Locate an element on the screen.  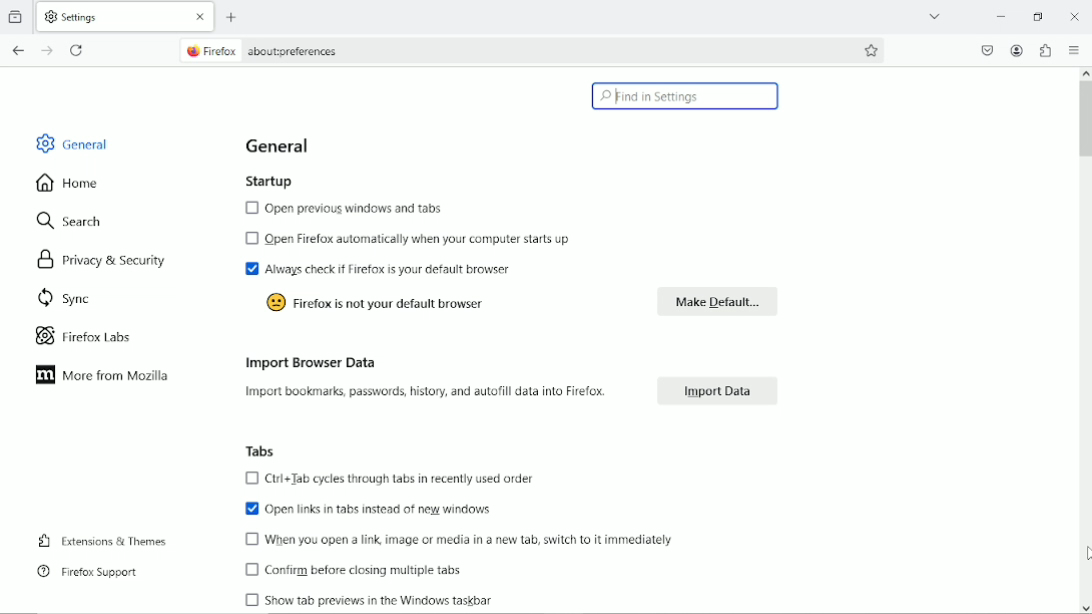
Extensions & Themes is located at coordinates (100, 539).